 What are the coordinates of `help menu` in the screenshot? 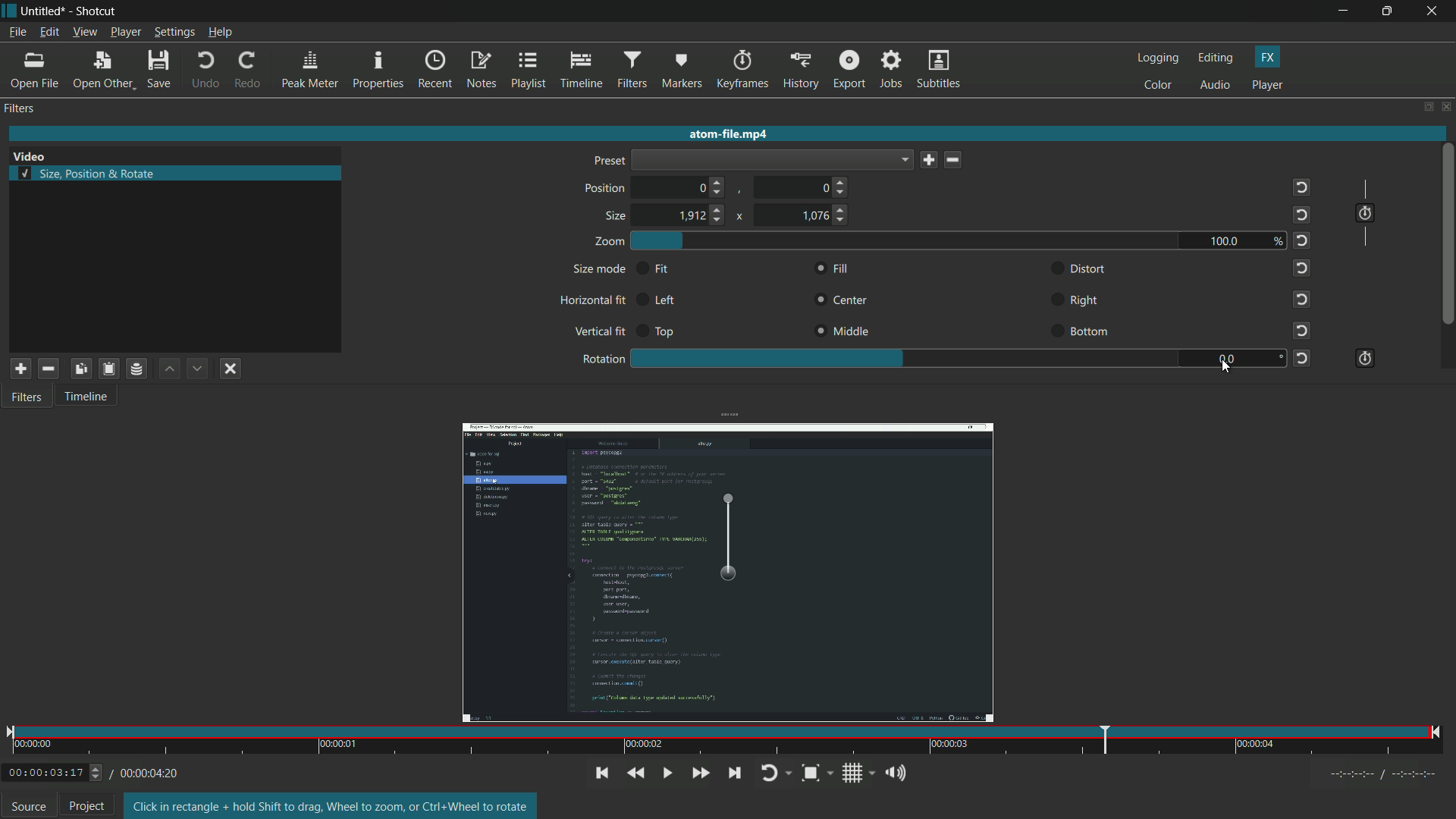 It's located at (221, 33).